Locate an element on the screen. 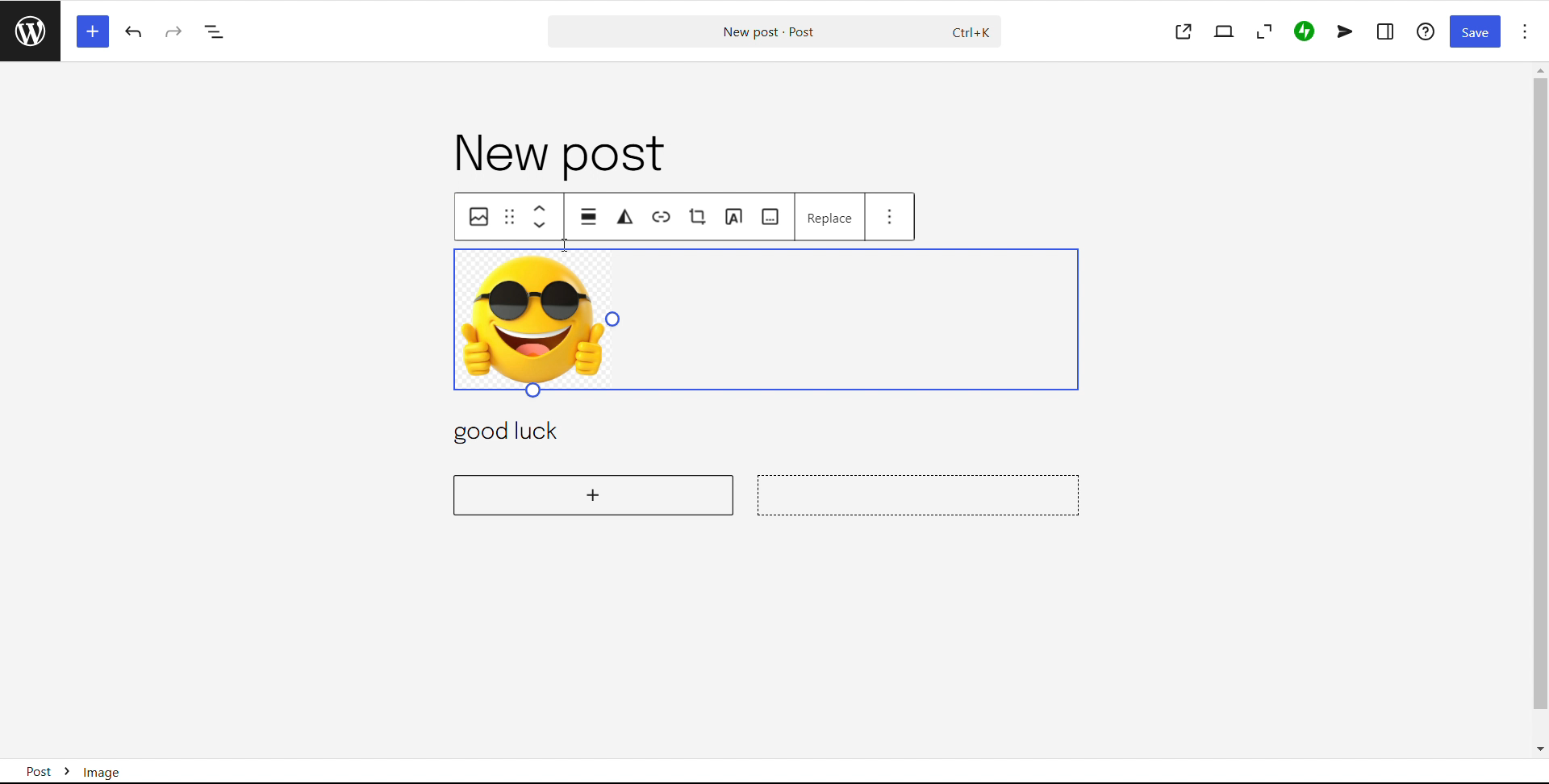 Image resolution: width=1549 pixels, height=784 pixels. help is located at coordinates (1427, 31).